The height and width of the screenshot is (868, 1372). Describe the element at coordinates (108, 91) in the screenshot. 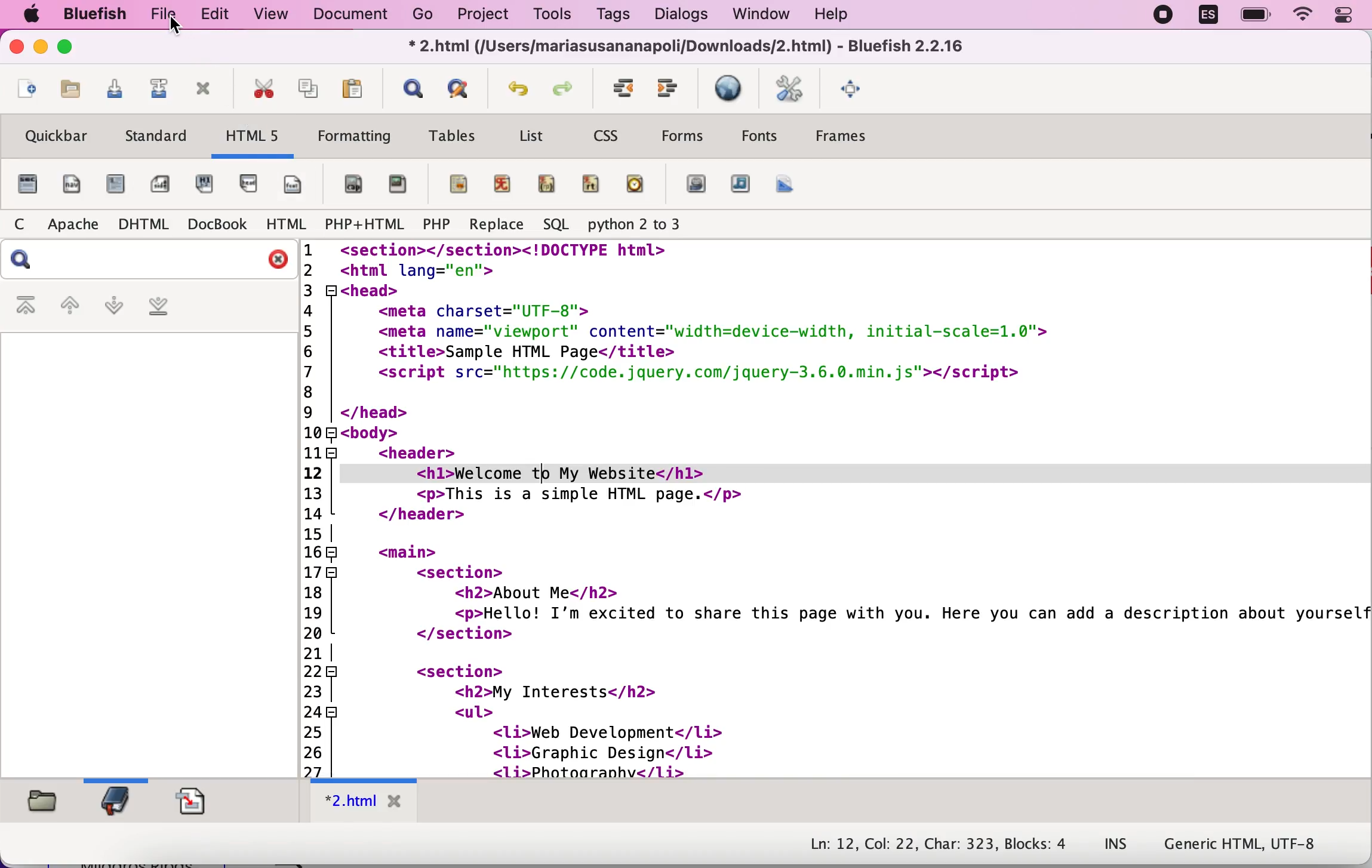

I see `save current file` at that location.